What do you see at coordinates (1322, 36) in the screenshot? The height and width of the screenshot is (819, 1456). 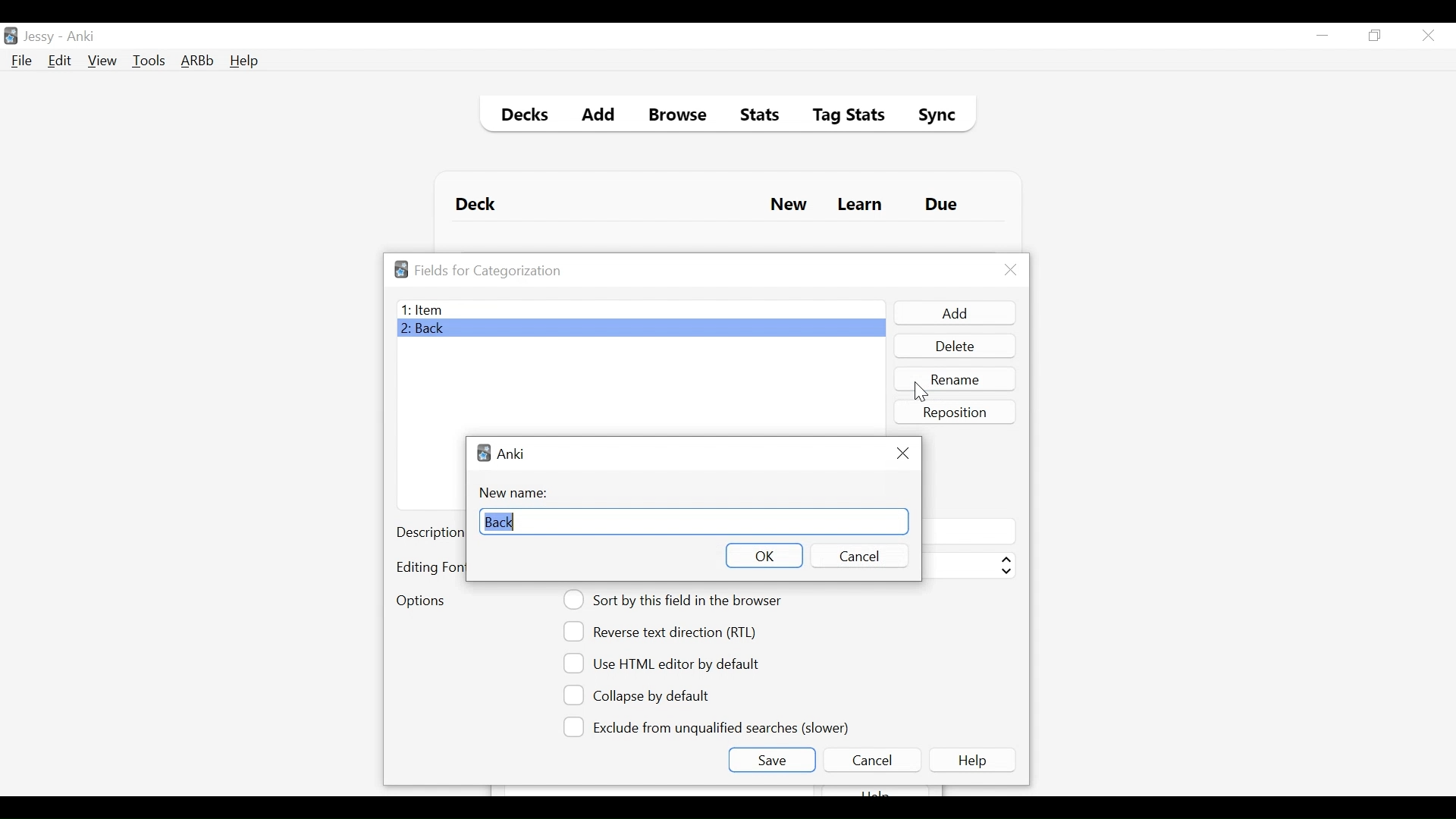 I see `minimize` at bounding box center [1322, 36].